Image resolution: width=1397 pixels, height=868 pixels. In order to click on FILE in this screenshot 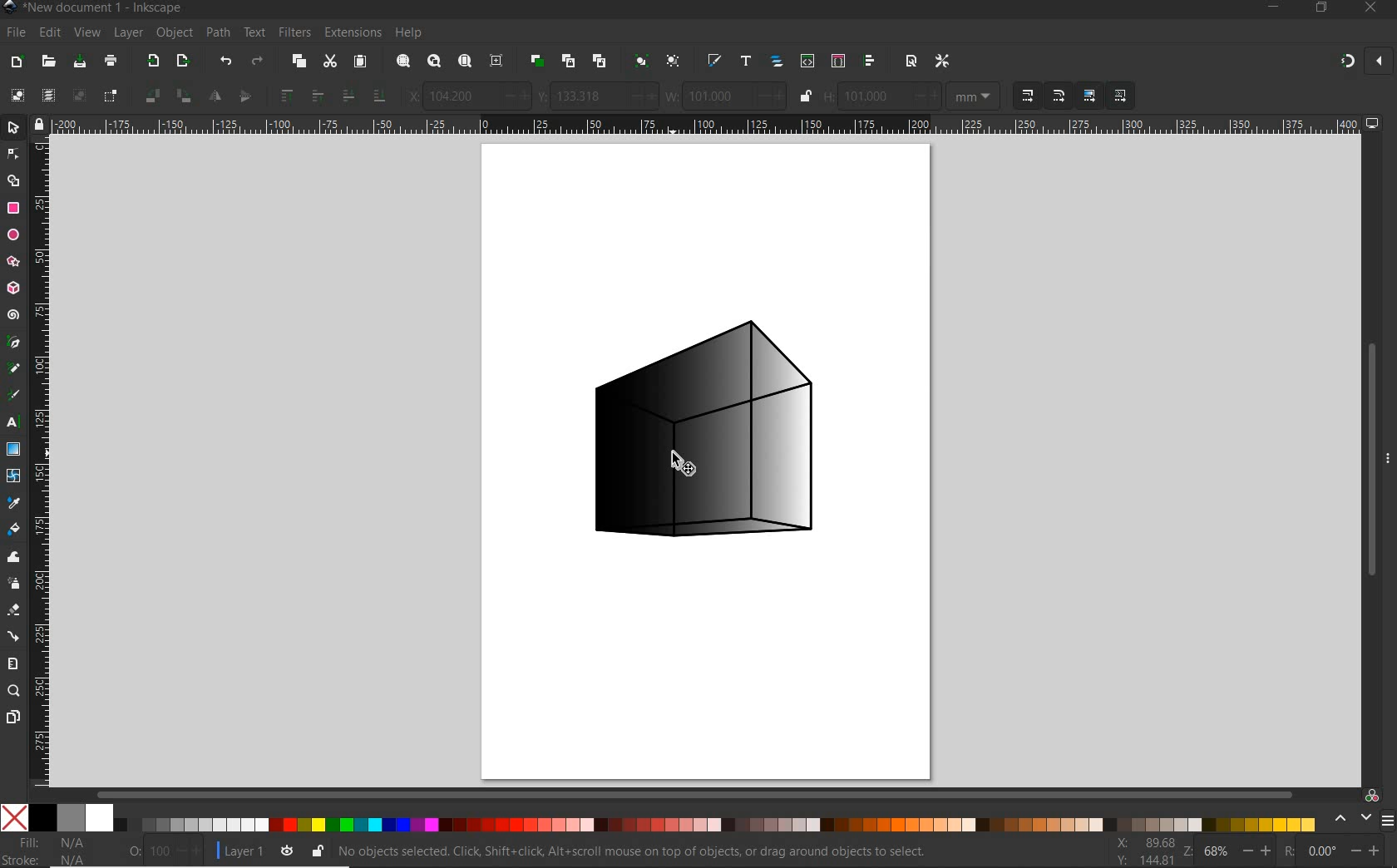, I will do `click(16, 33)`.